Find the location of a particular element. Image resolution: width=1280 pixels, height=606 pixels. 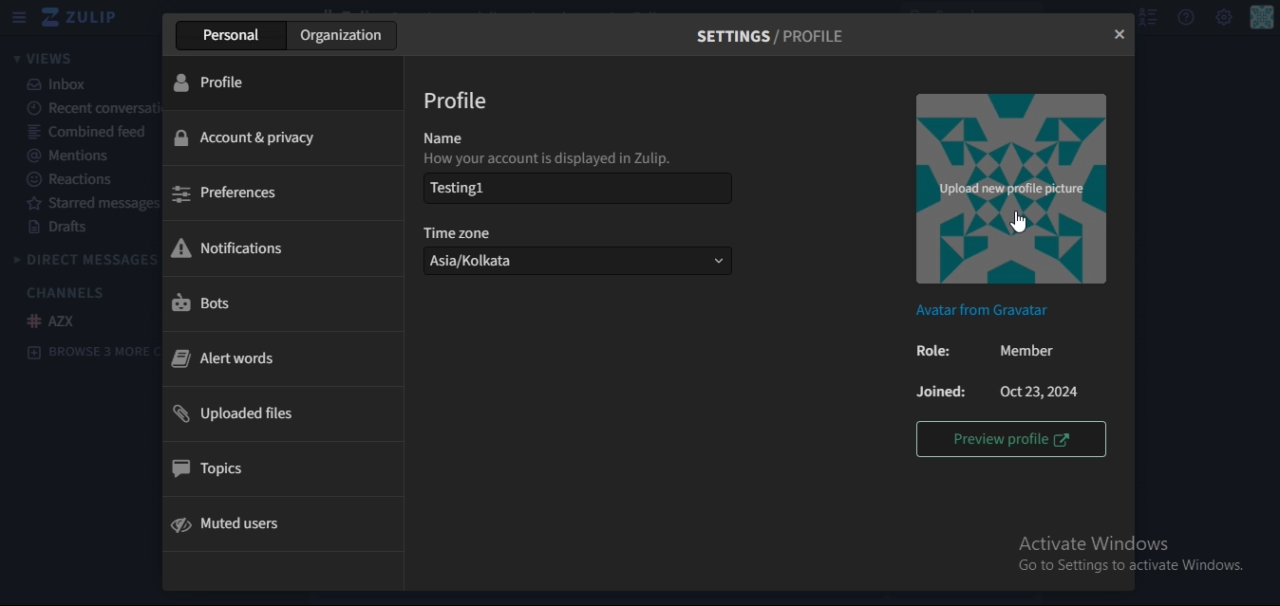

notifications is located at coordinates (223, 247).